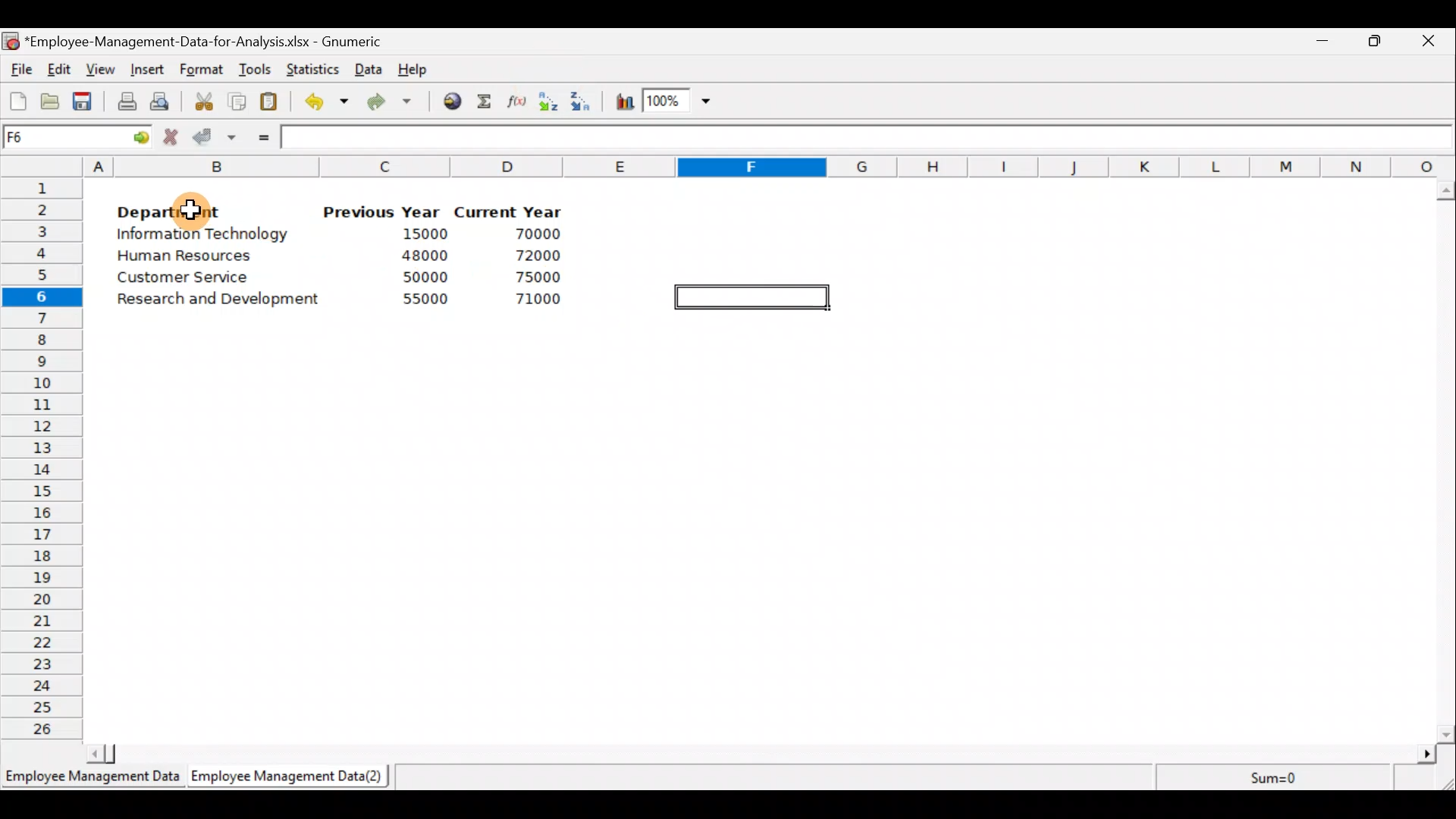 Image resolution: width=1456 pixels, height=819 pixels. I want to click on Scroll bar, so click(758, 754).